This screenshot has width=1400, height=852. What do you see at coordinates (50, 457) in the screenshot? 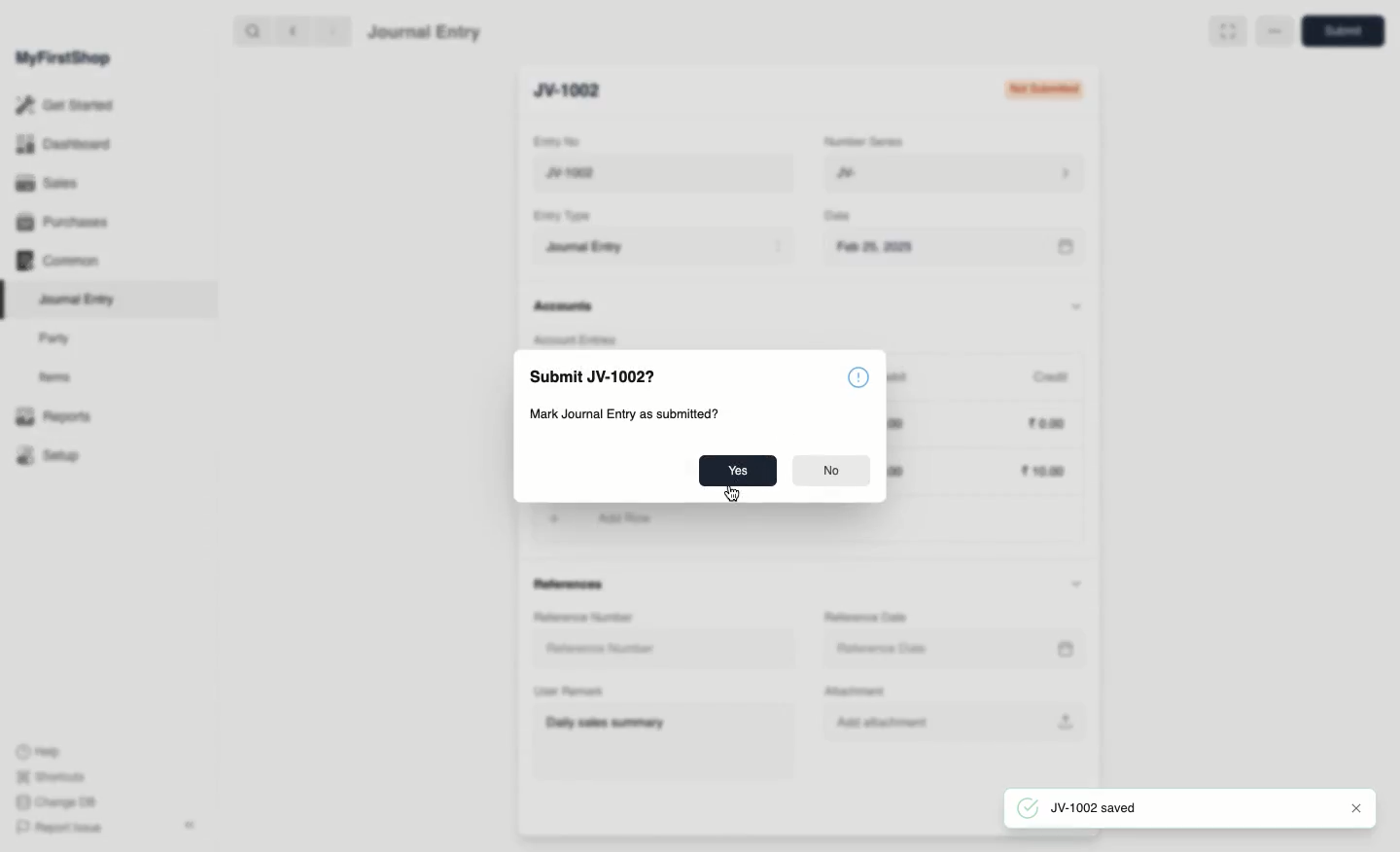
I see `Setup` at bounding box center [50, 457].